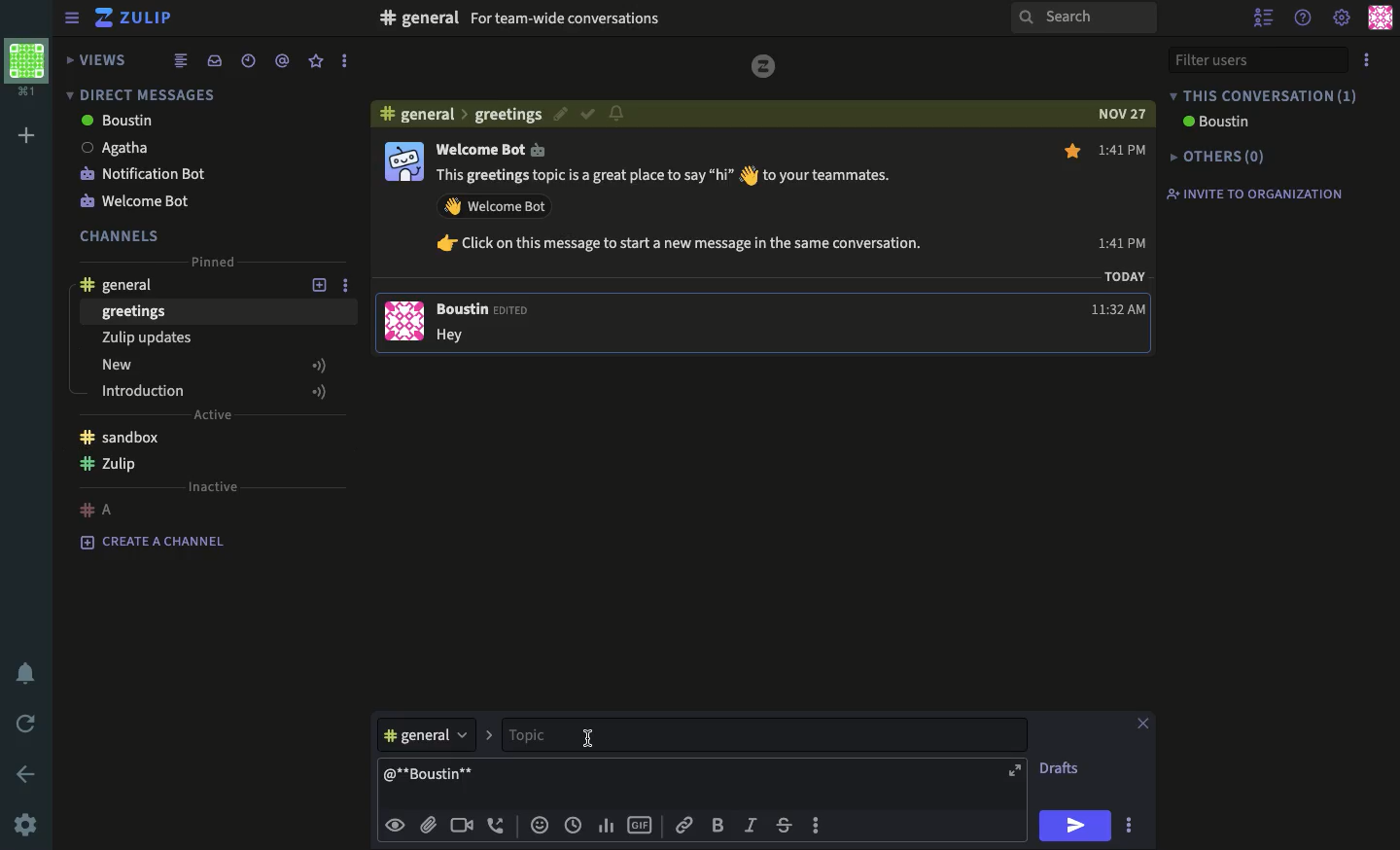  What do you see at coordinates (123, 435) in the screenshot?
I see `sandbox` at bounding box center [123, 435].